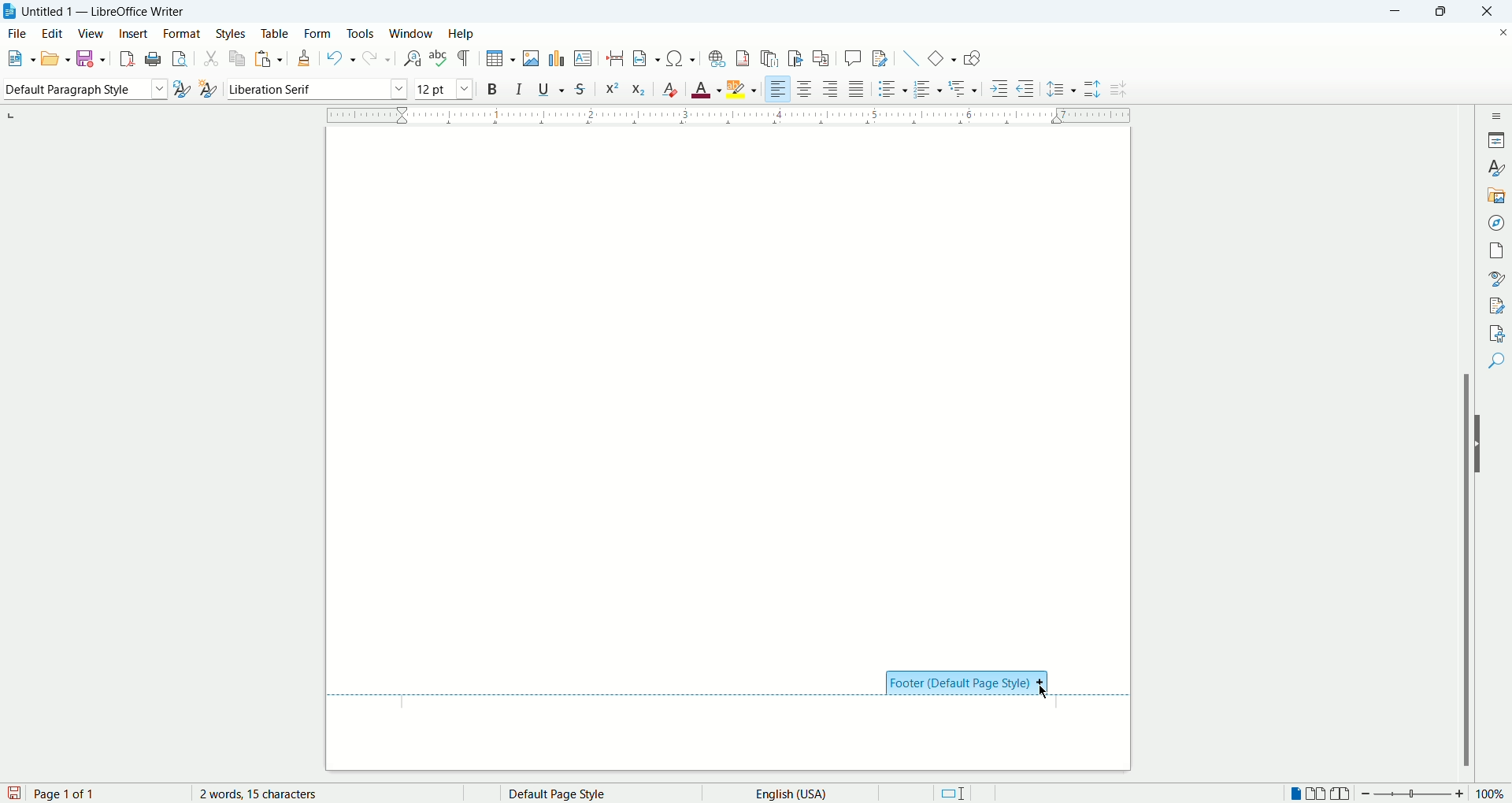  What do you see at coordinates (771, 58) in the screenshot?
I see `insert endnote` at bounding box center [771, 58].